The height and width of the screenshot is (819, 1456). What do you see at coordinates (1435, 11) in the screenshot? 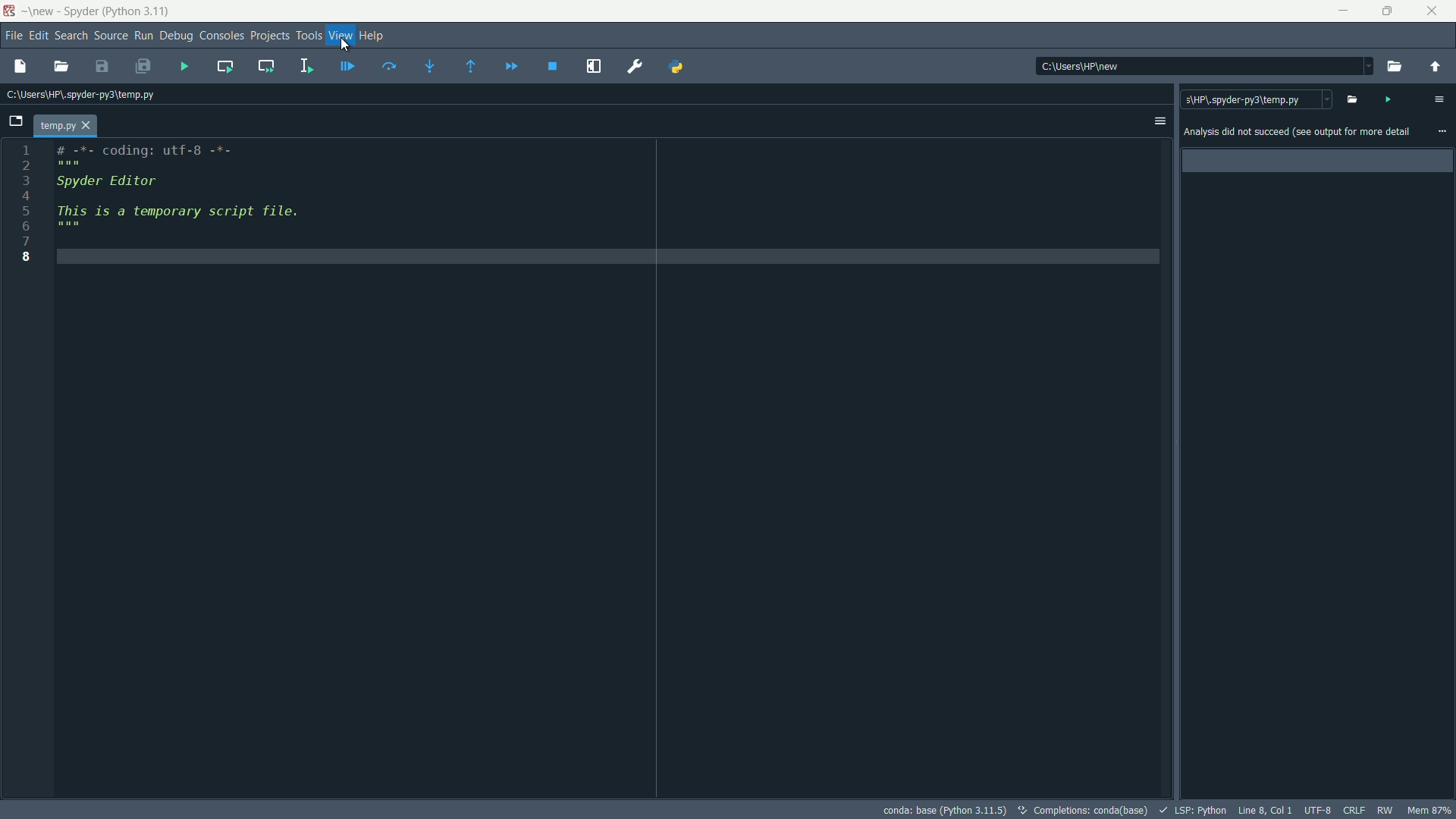
I see `close app` at bounding box center [1435, 11].